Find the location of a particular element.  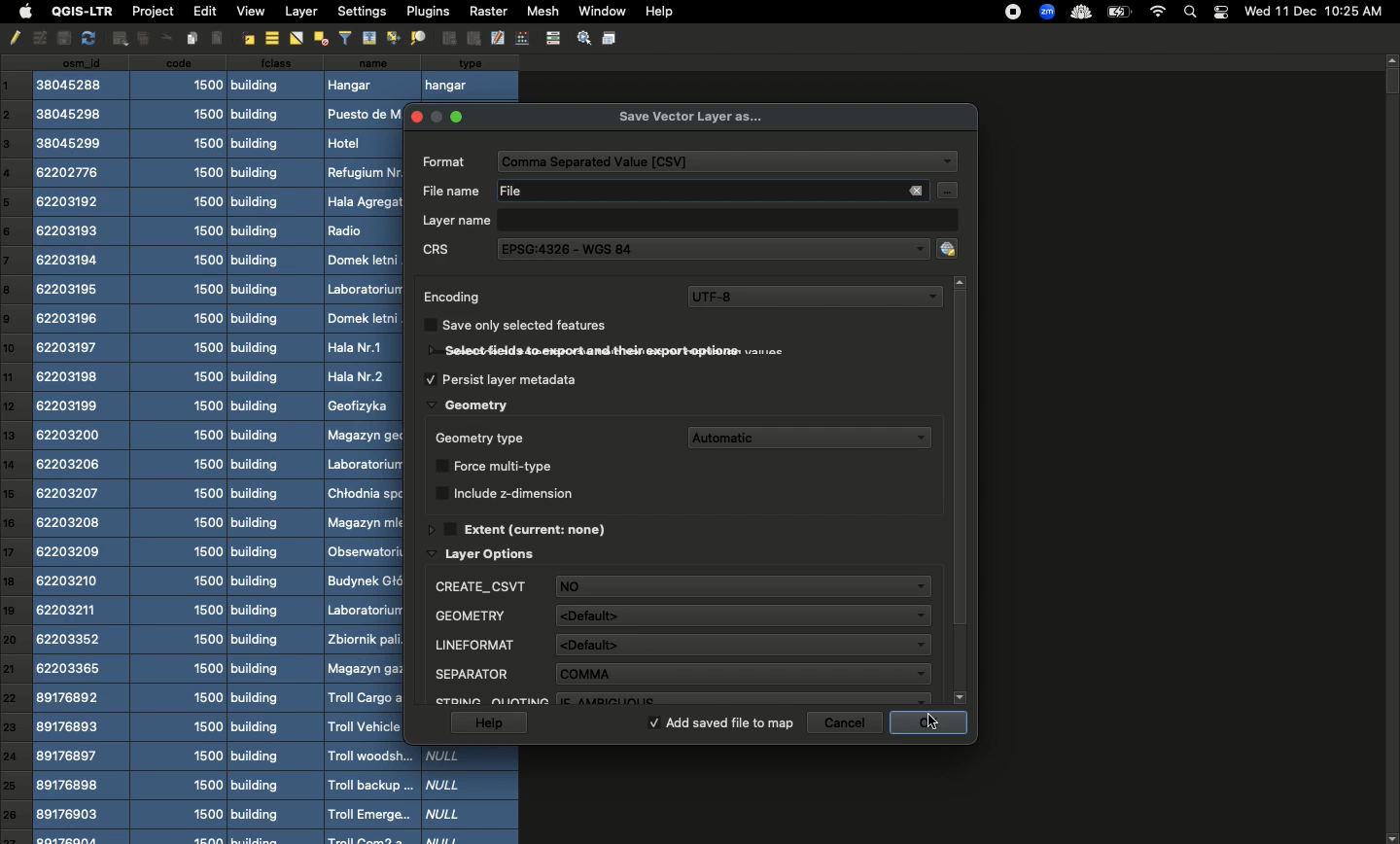

Notification is located at coordinates (1220, 11).